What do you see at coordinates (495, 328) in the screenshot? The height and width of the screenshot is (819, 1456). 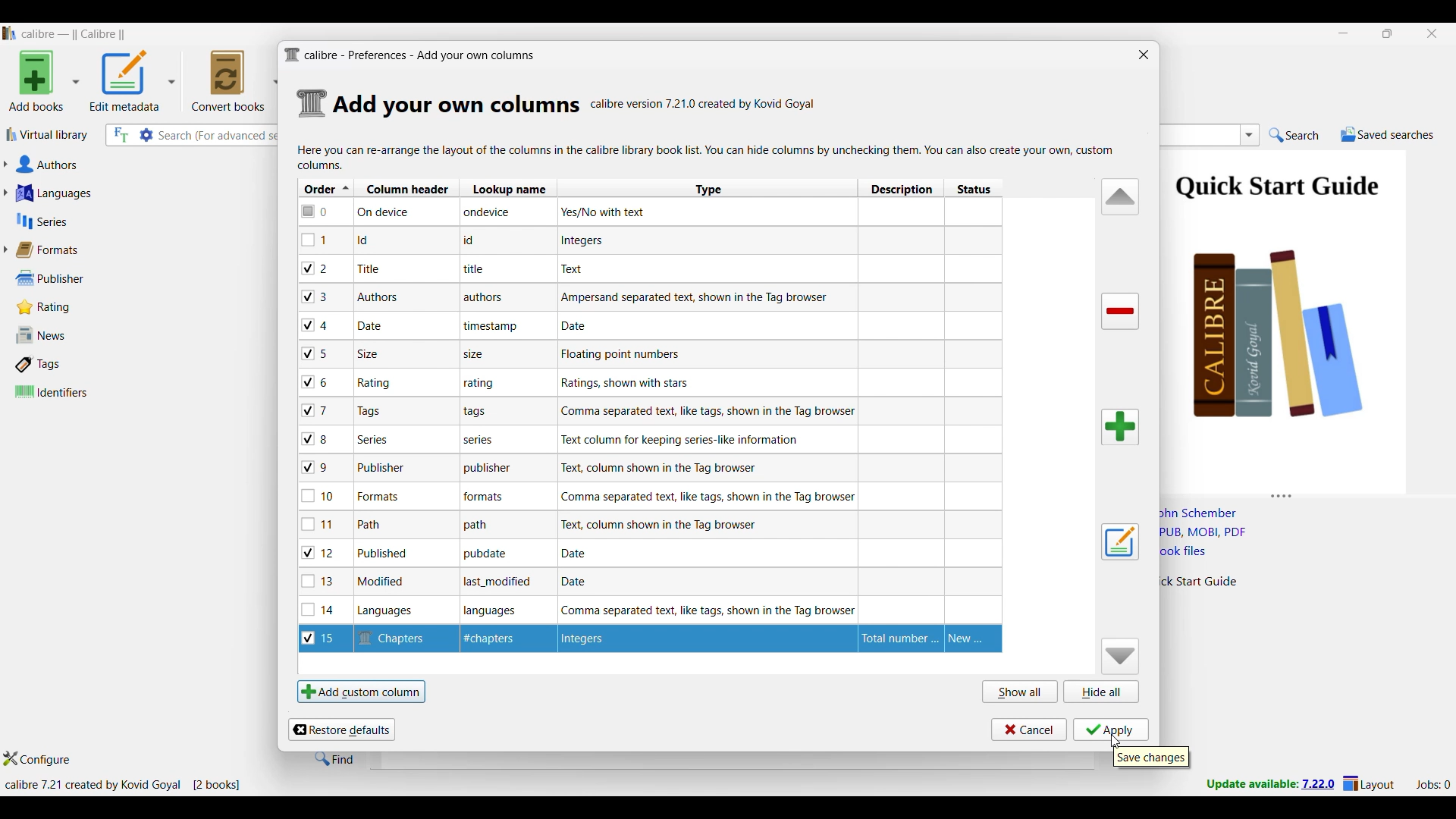 I see `note` at bounding box center [495, 328].